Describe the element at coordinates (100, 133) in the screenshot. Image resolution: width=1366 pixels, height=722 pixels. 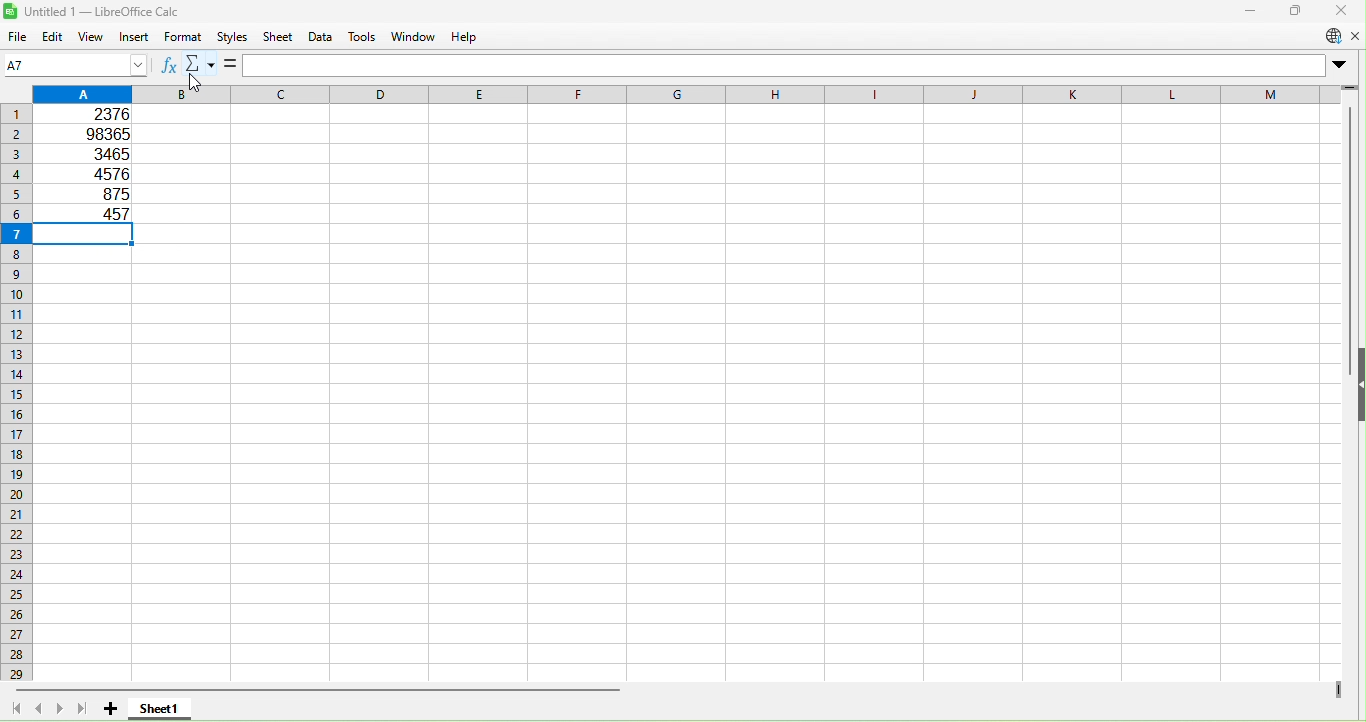
I see `98365` at that location.